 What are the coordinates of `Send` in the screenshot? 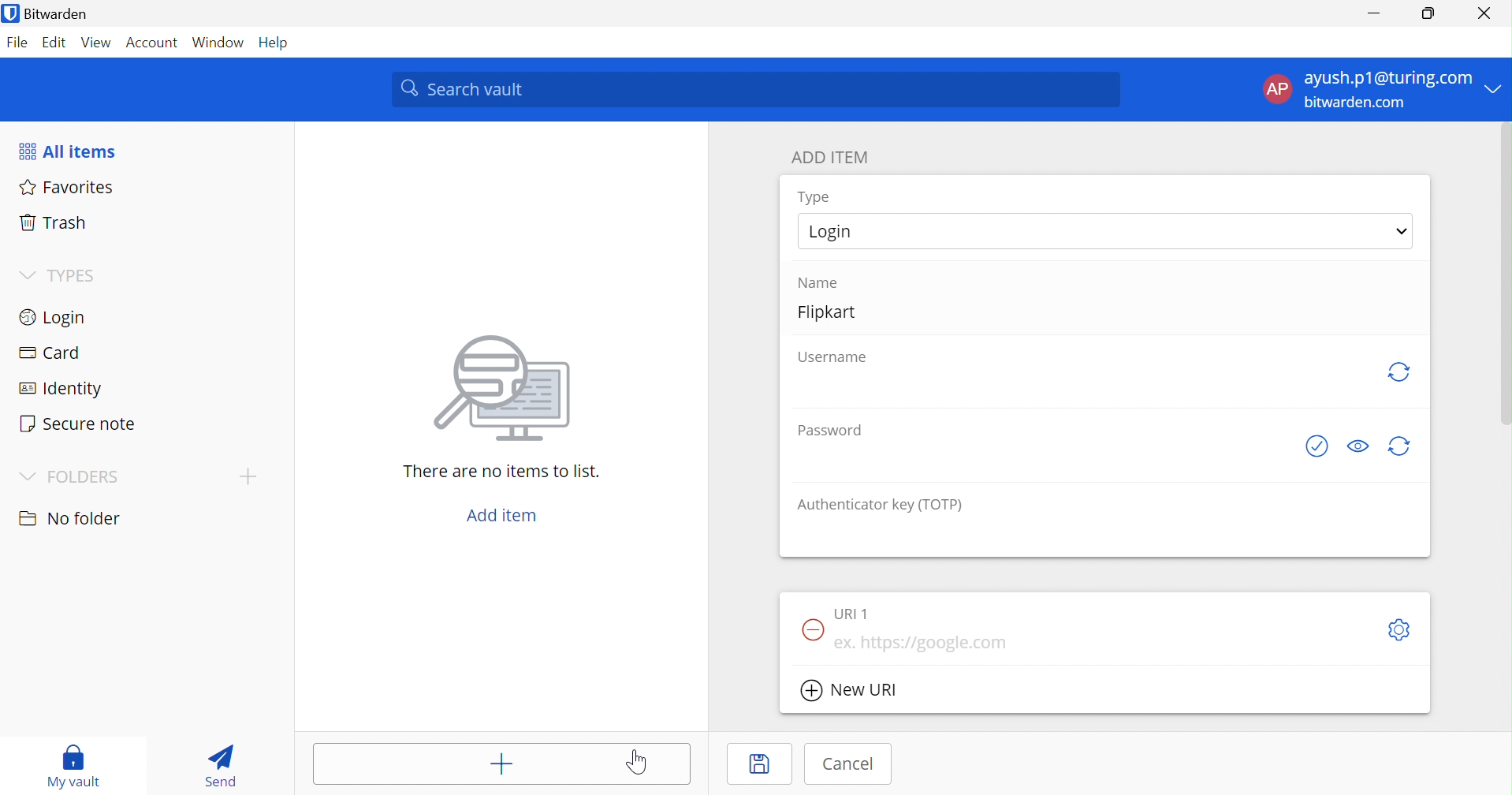 It's located at (219, 766).